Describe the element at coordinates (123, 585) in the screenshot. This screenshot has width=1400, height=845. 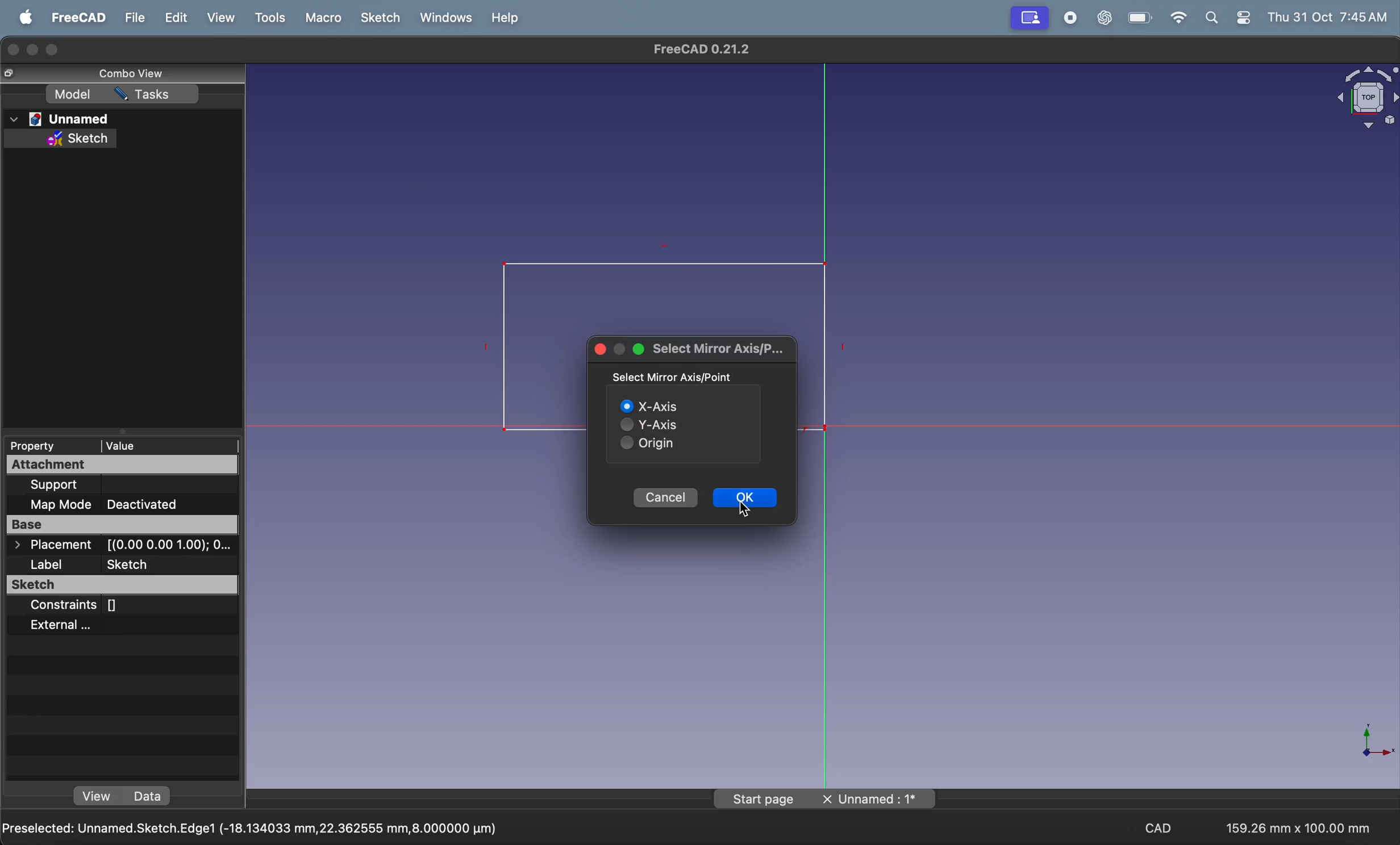
I see `sketch` at that location.